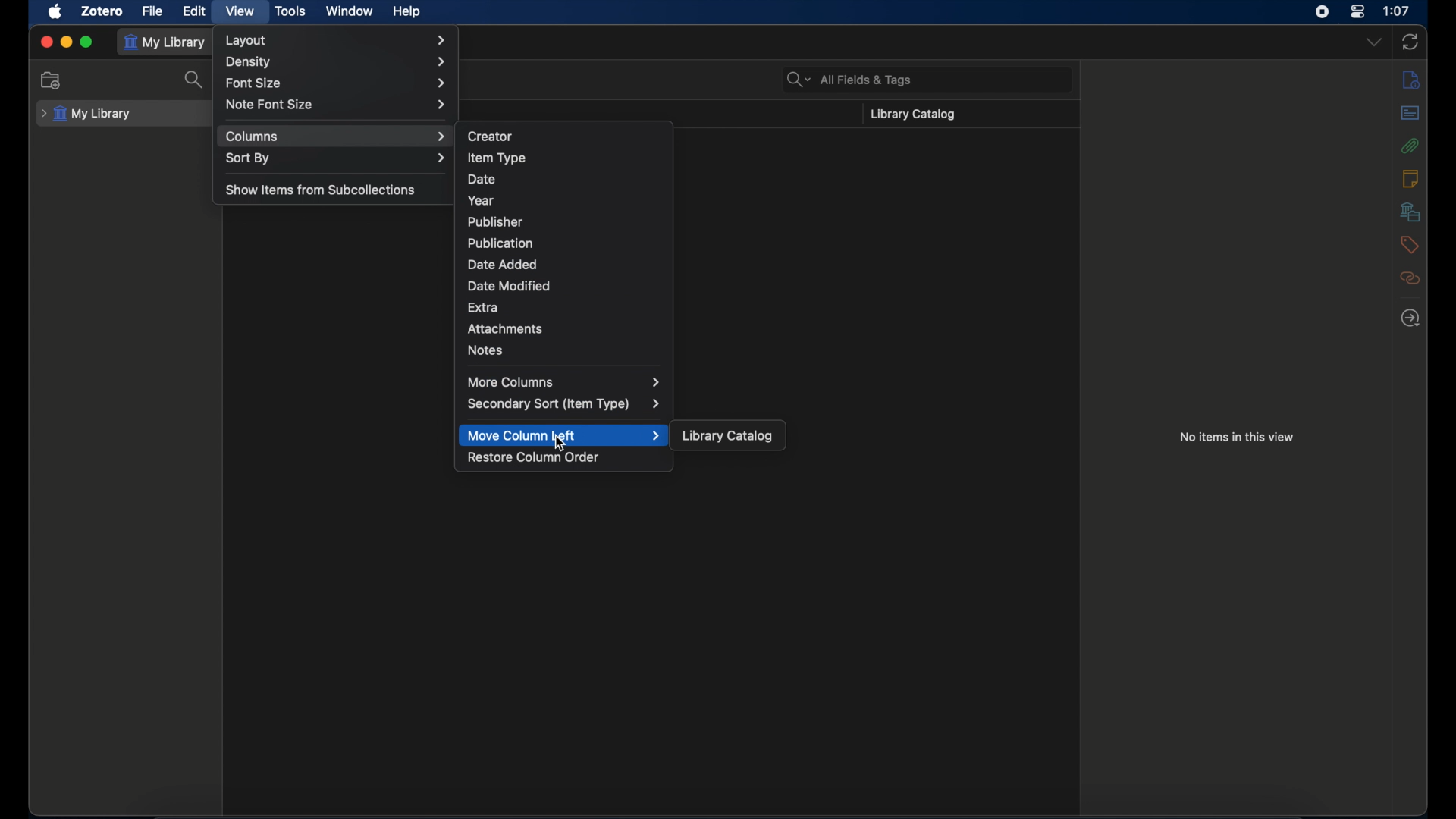  What do you see at coordinates (497, 158) in the screenshot?
I see `item type` at bounding box center [497, 158].